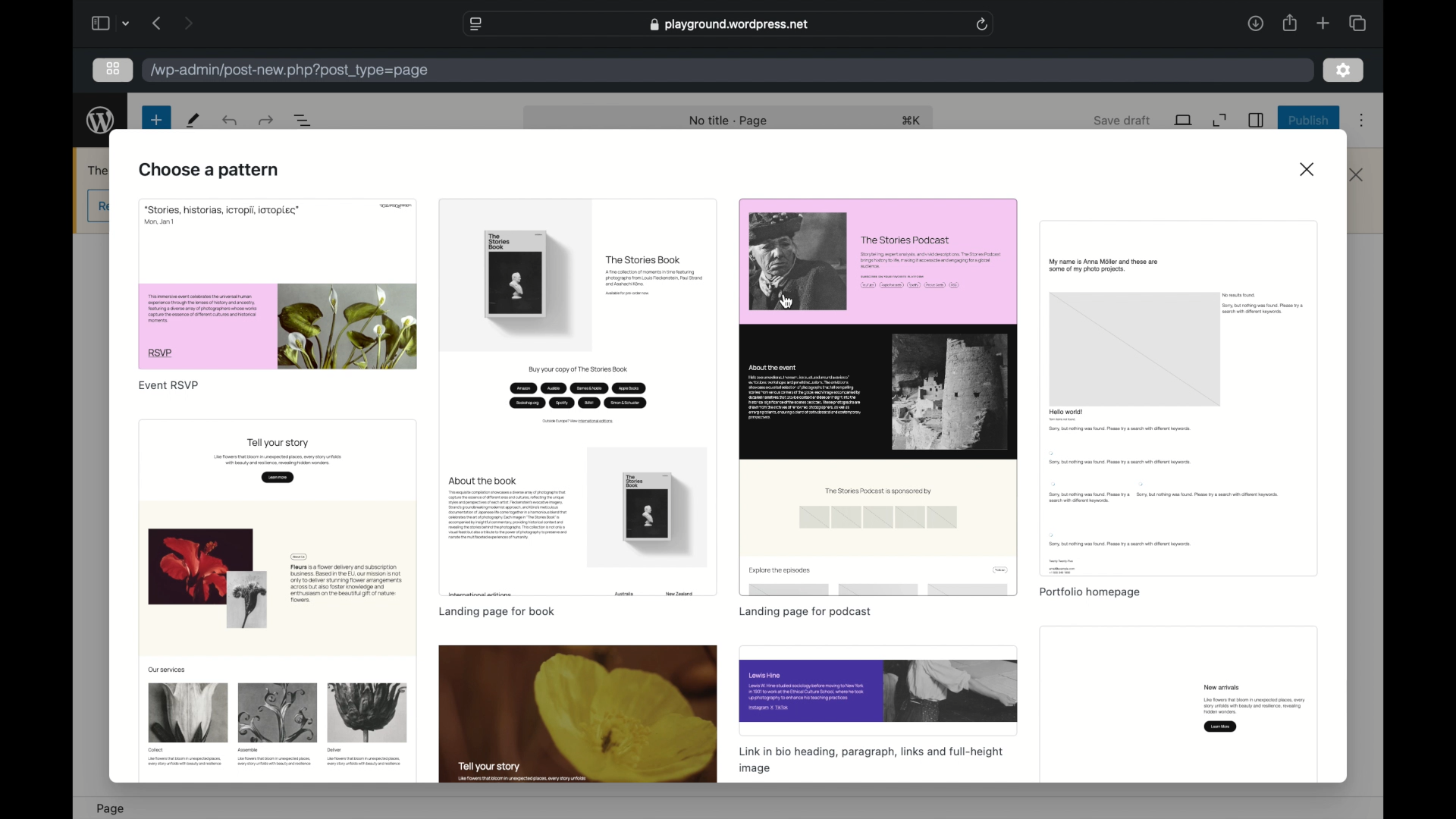  What do you see at coordinates (877, 397) in the screenshot?
I see `preview` at bounding box center [877, 397].